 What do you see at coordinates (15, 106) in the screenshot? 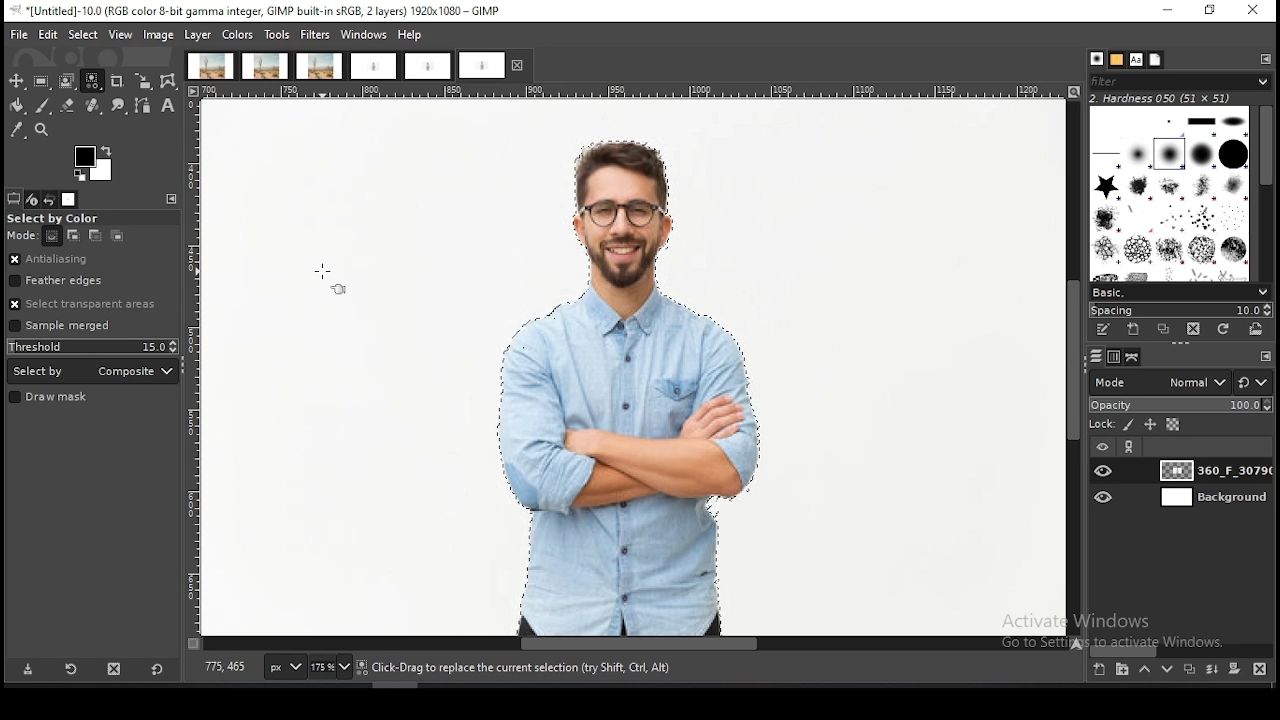
I see `paint bucket tool` at bounding box center [15, 106].